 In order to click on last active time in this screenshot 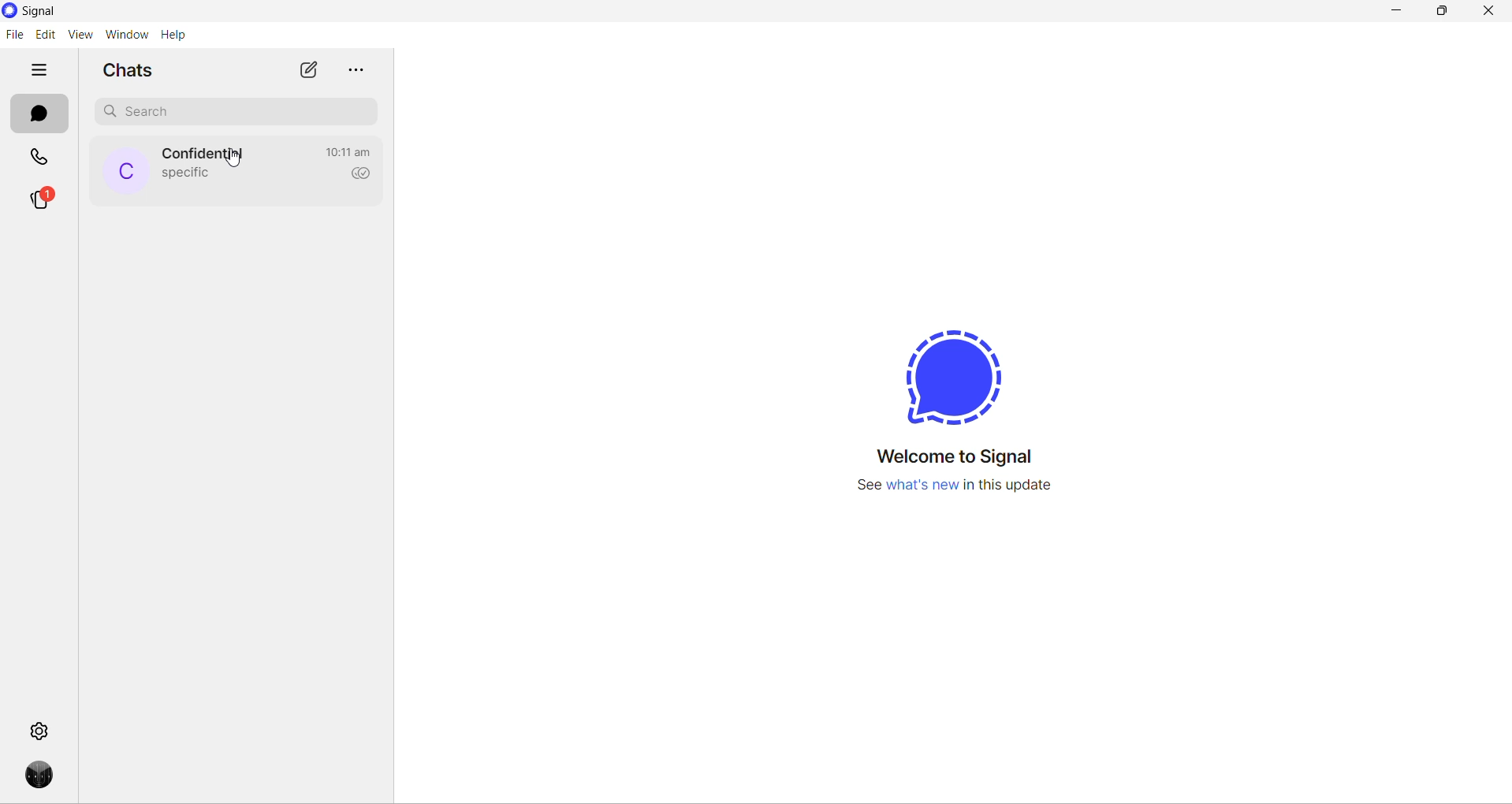, I will do `click(352, 151)`.